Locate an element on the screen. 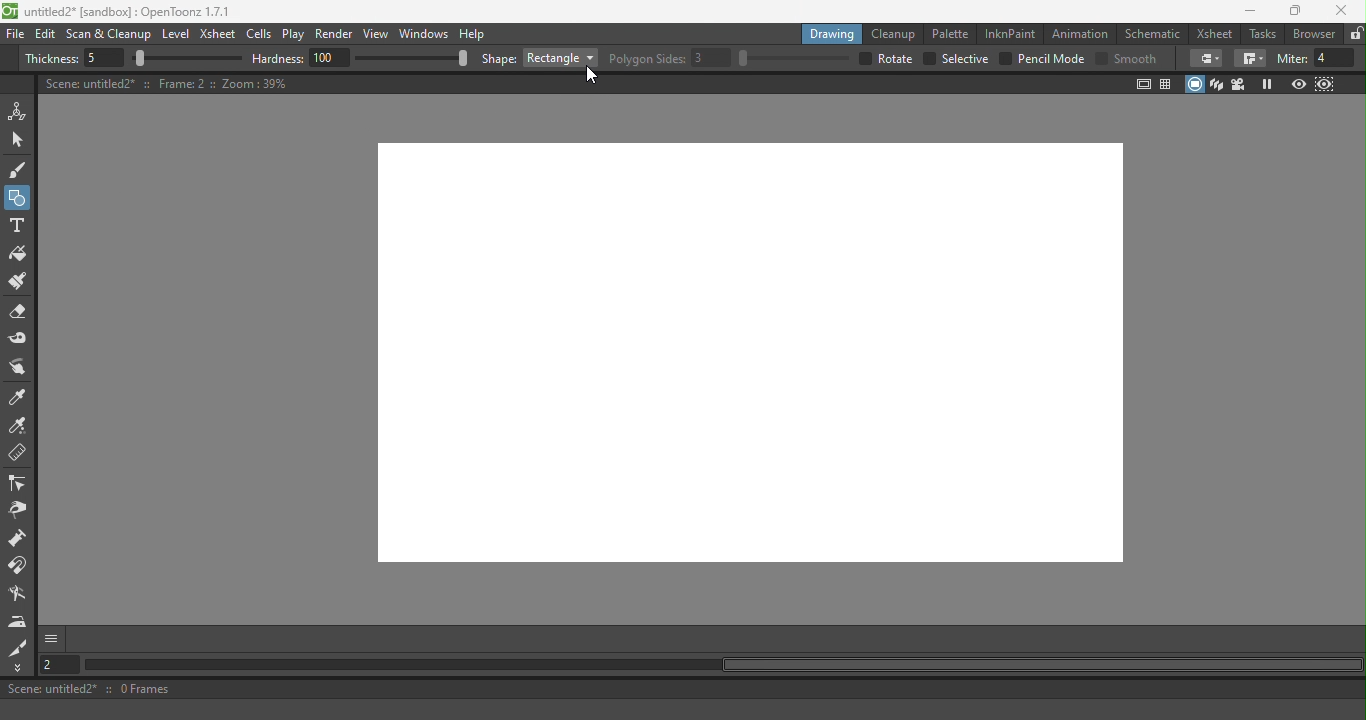 The image size is (1366, 720). Windows is located at coordinates (422, 34).